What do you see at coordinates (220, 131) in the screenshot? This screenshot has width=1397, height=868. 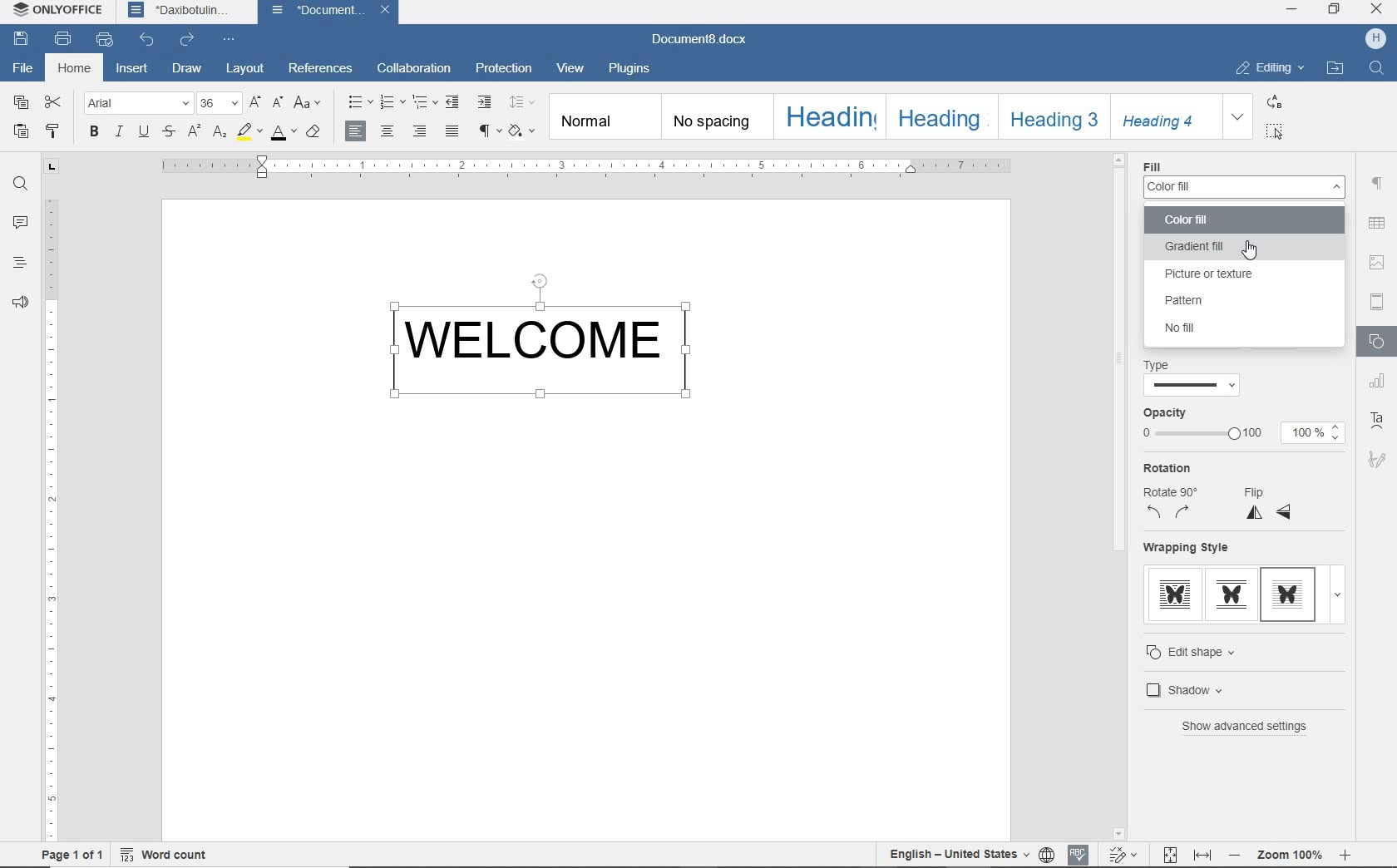 I see `SUBSCRIPT` at bounding box center [220, 131].